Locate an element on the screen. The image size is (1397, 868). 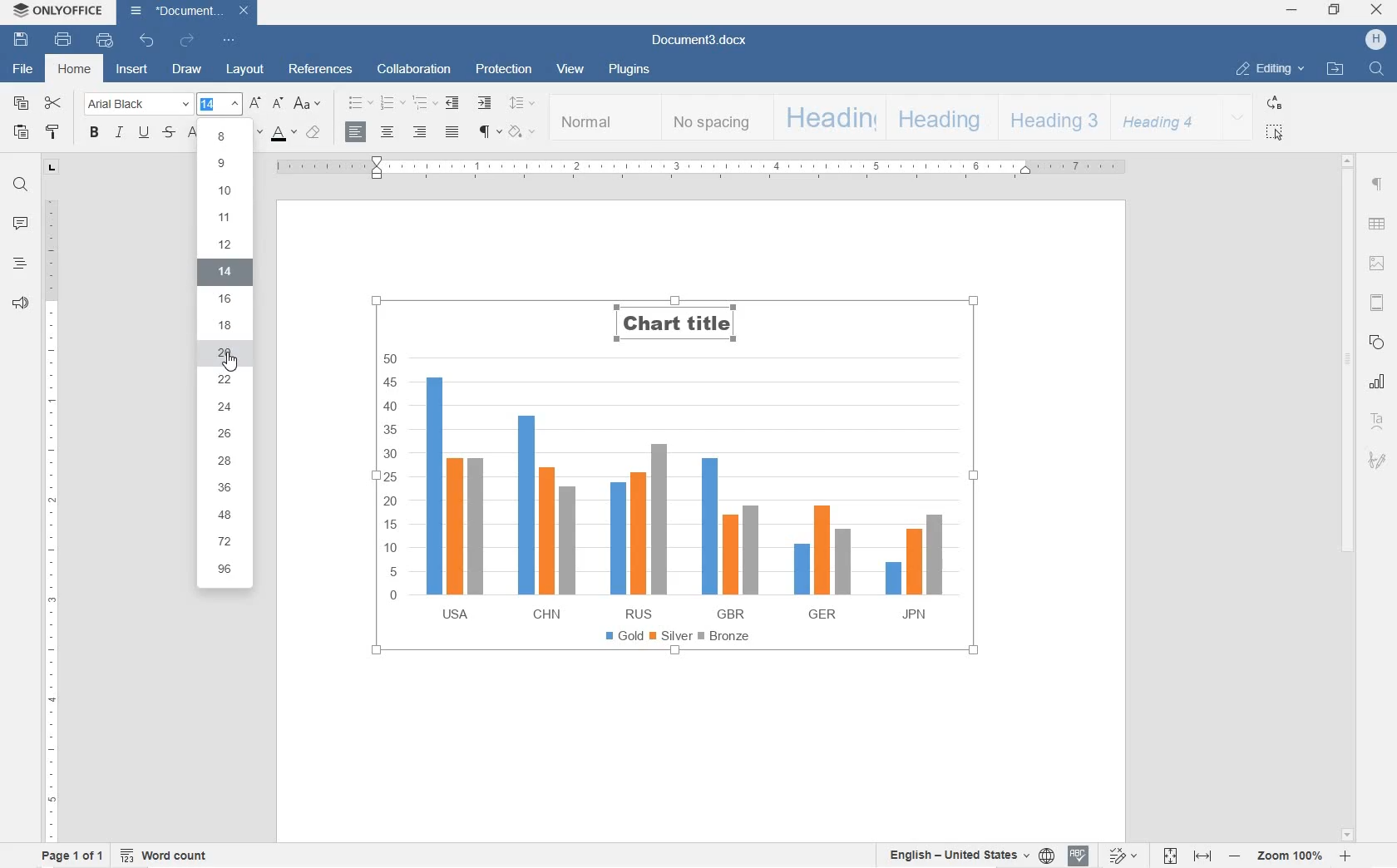
9 is located at coordinates (221, 163).